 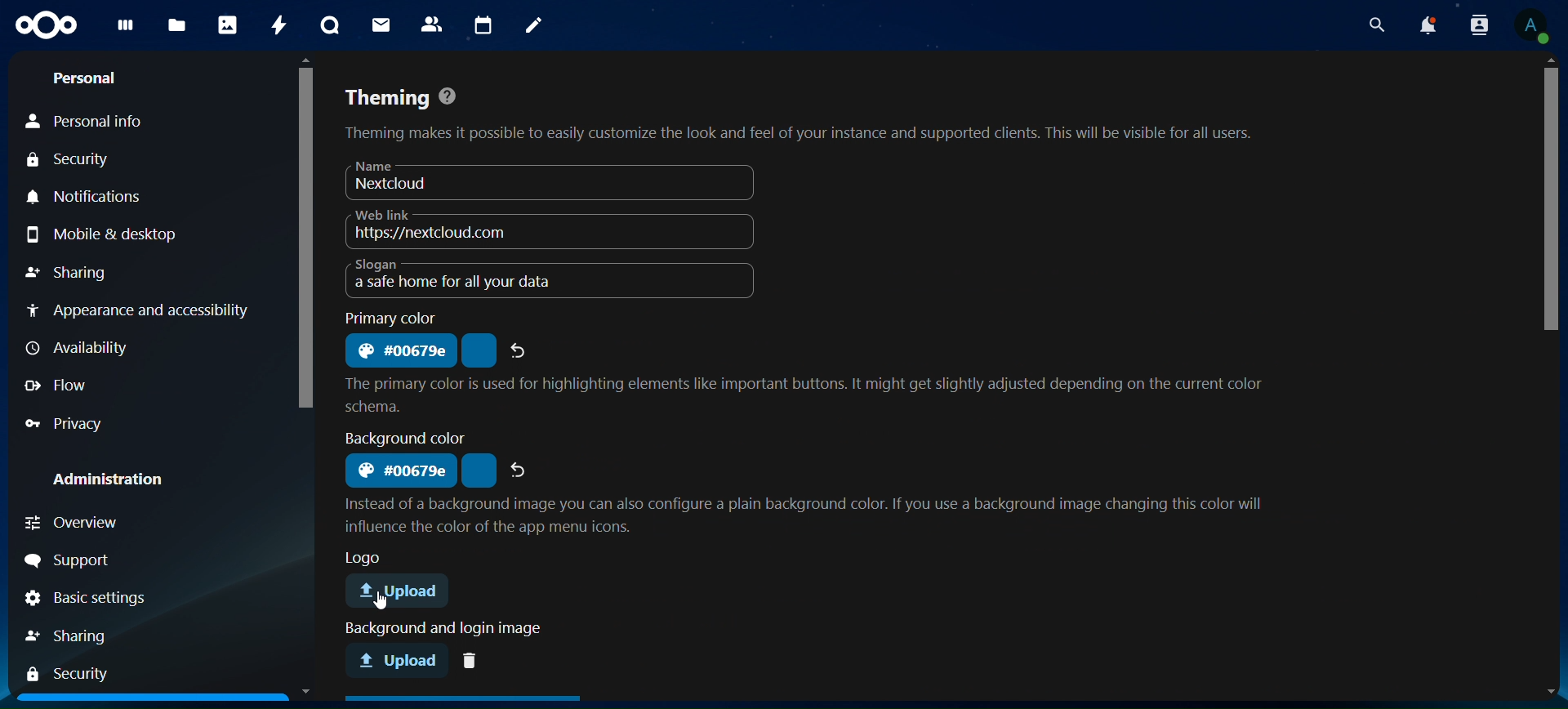 I want to click on primary color, so click(x=401, y=350).